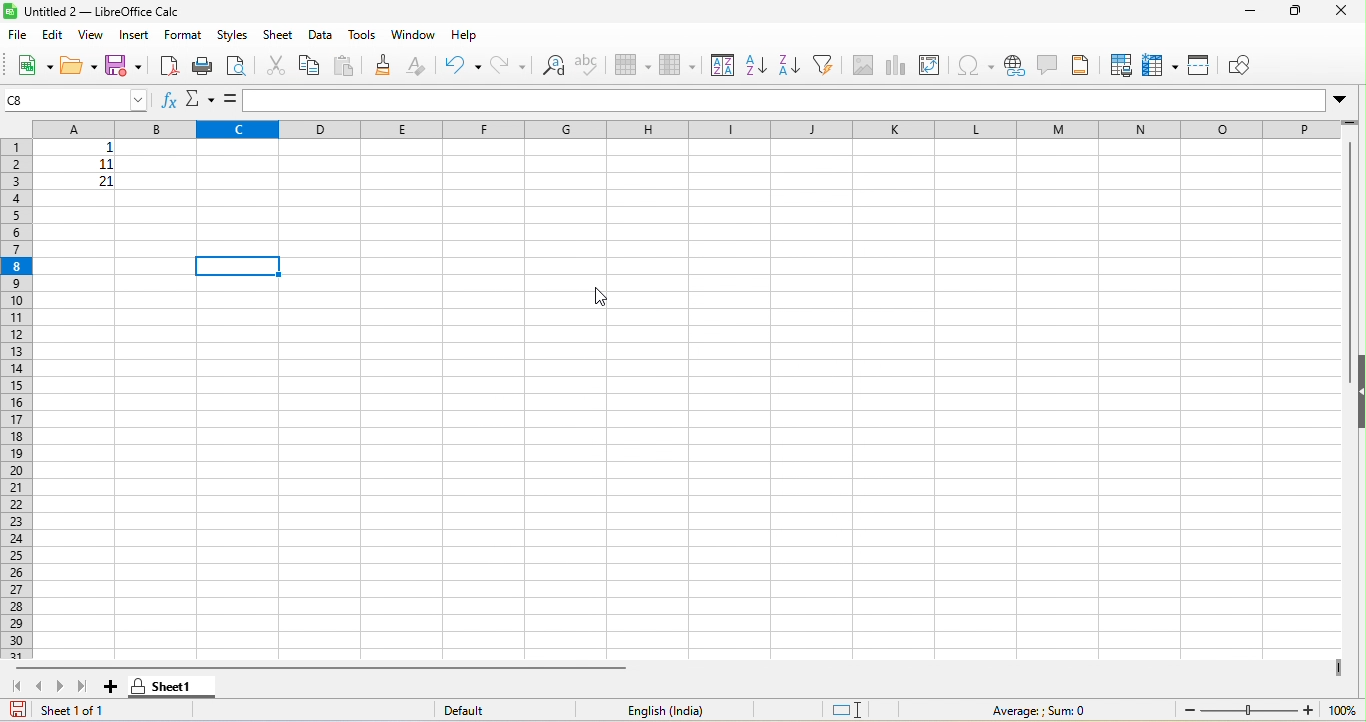  I want to click on english, so click(678, 710).